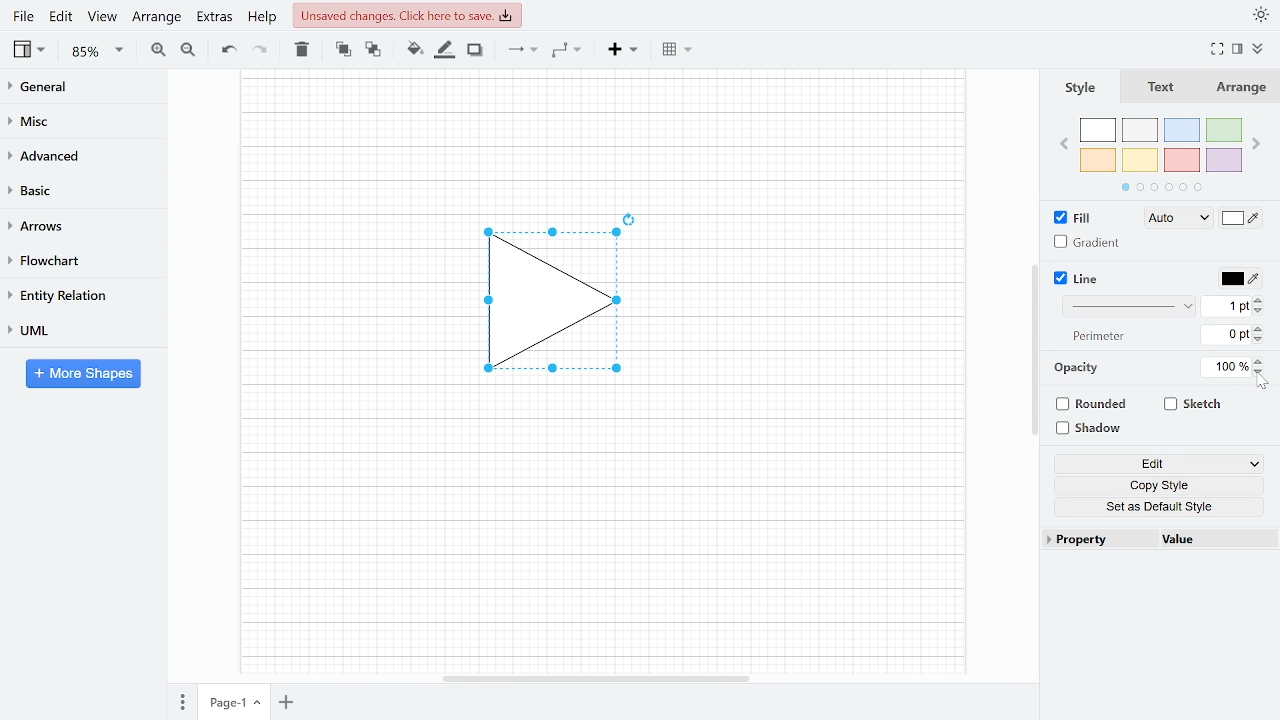  Describe the element at coordinates (181, 704) in the screenshot. I see `Pages` at that location.